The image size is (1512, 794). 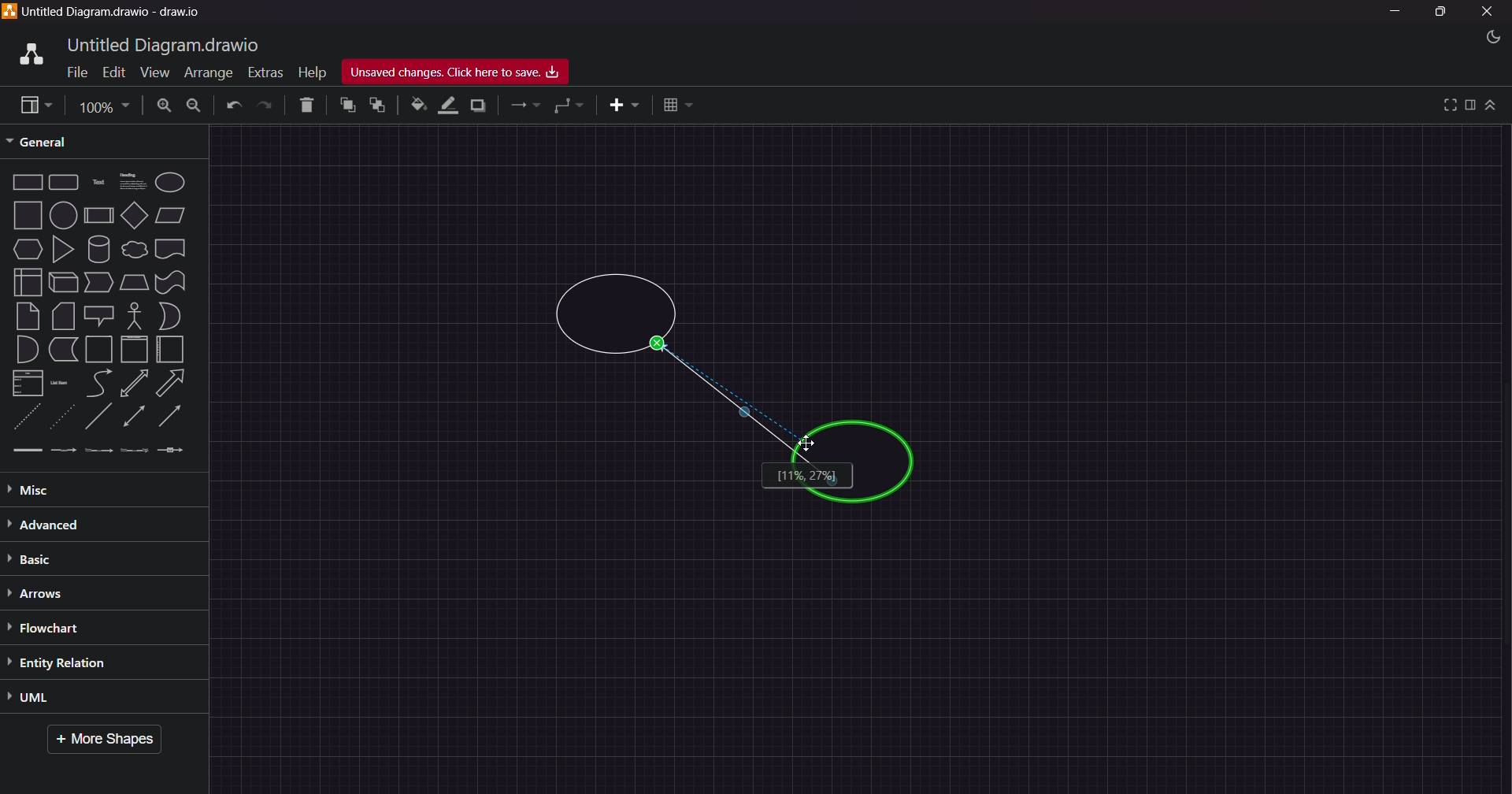 I want to click on cursor, so click(x=808, y=443).